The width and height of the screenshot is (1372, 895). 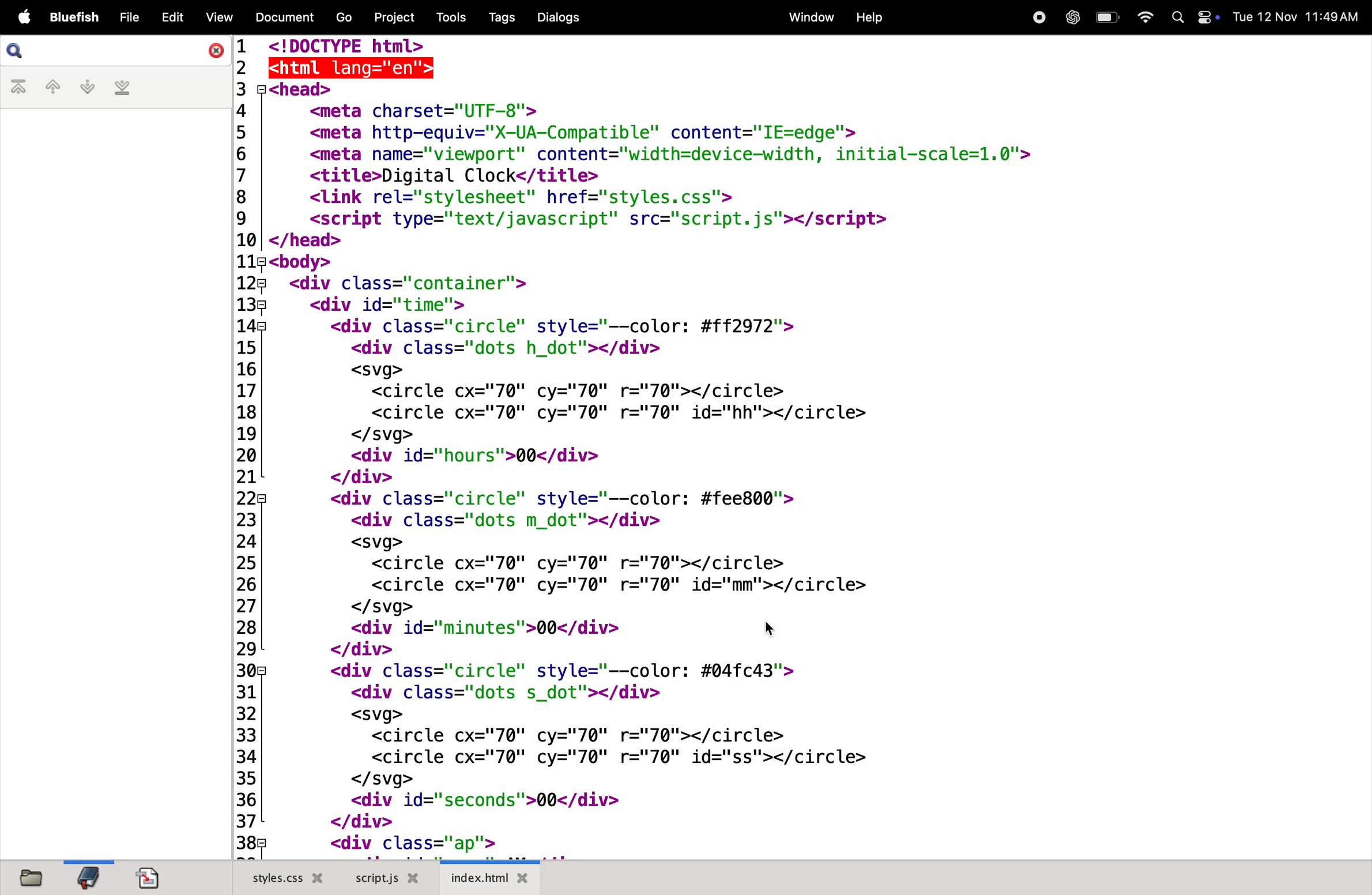 What do you see at coordinates (170, 17) in the screenshot?
I see `edit` at bounding box center [170, 17].